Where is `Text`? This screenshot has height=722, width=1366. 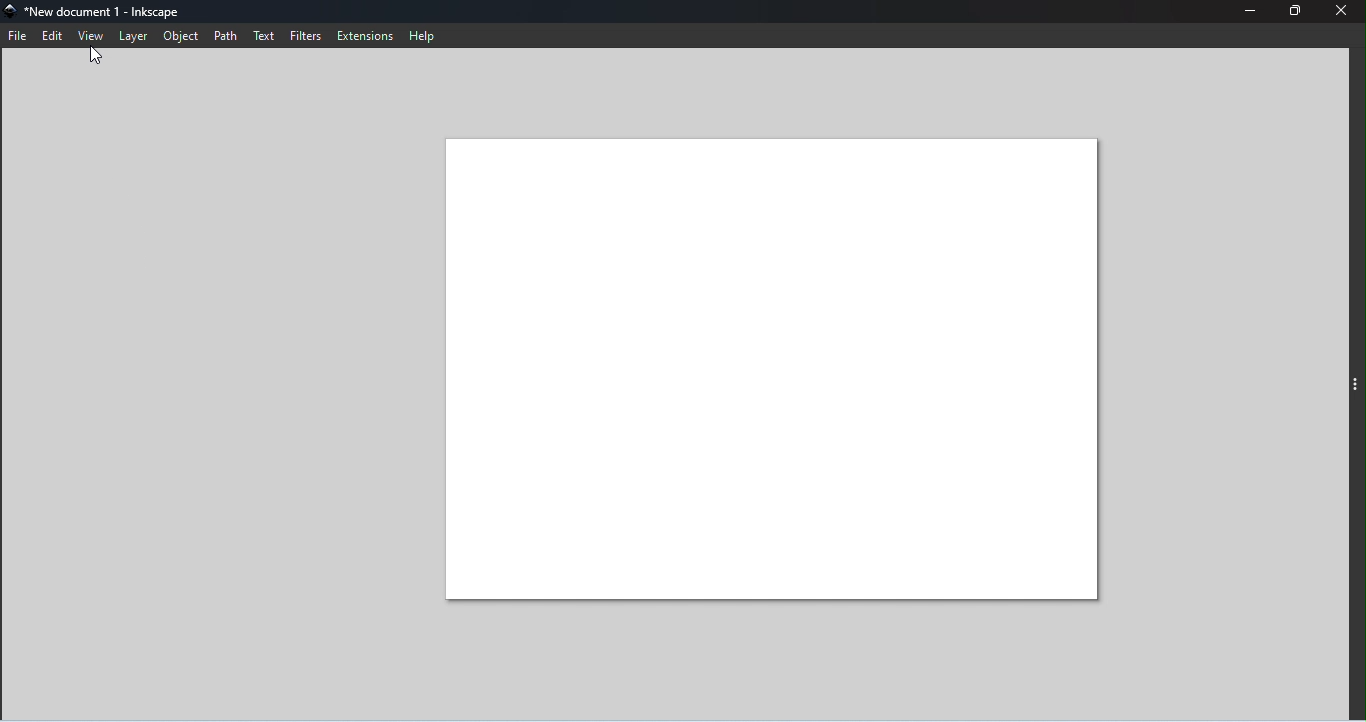
Text is located at coordinates (264, 35).